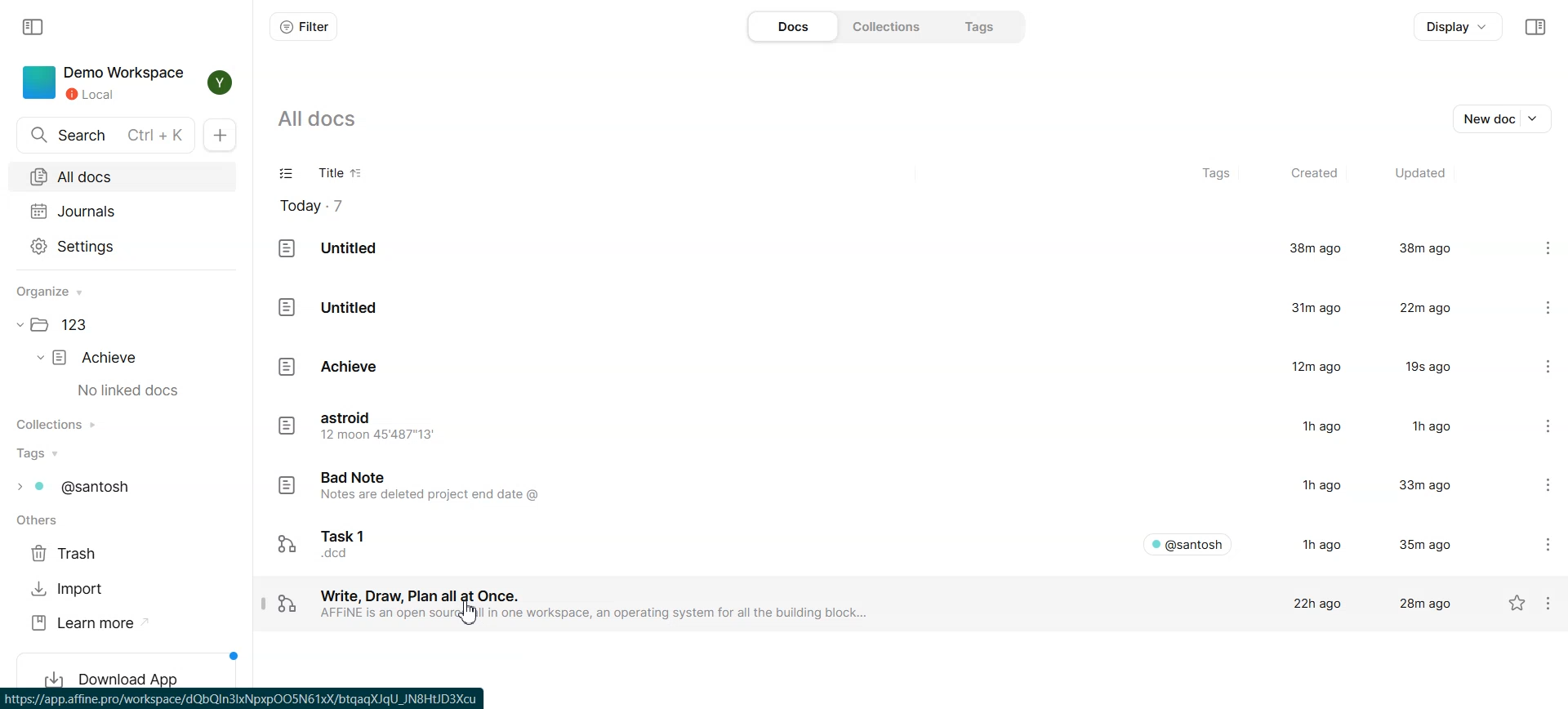  Describe the element at coordinates (878, 542) in the screenshot. I see `Doc File` at that location.